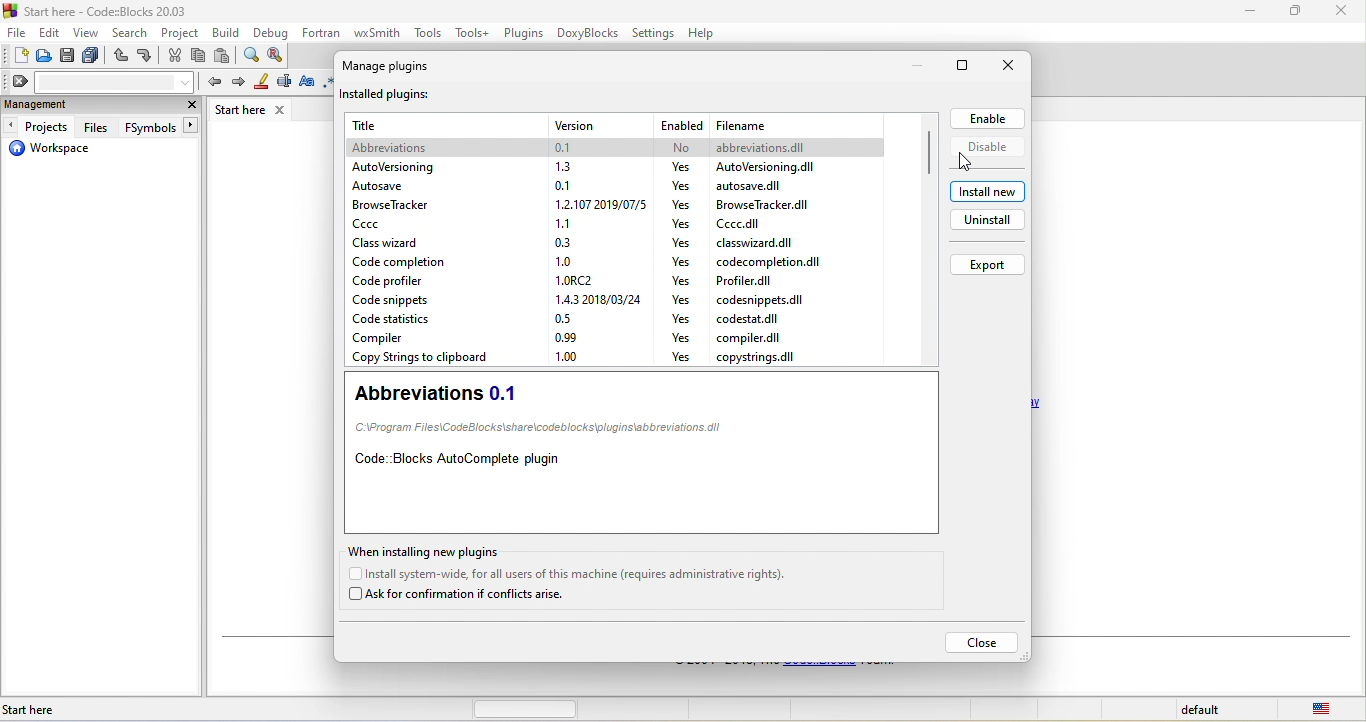 This screenshot has height=722, width=1366. I want to click on version , so click(567, 337).